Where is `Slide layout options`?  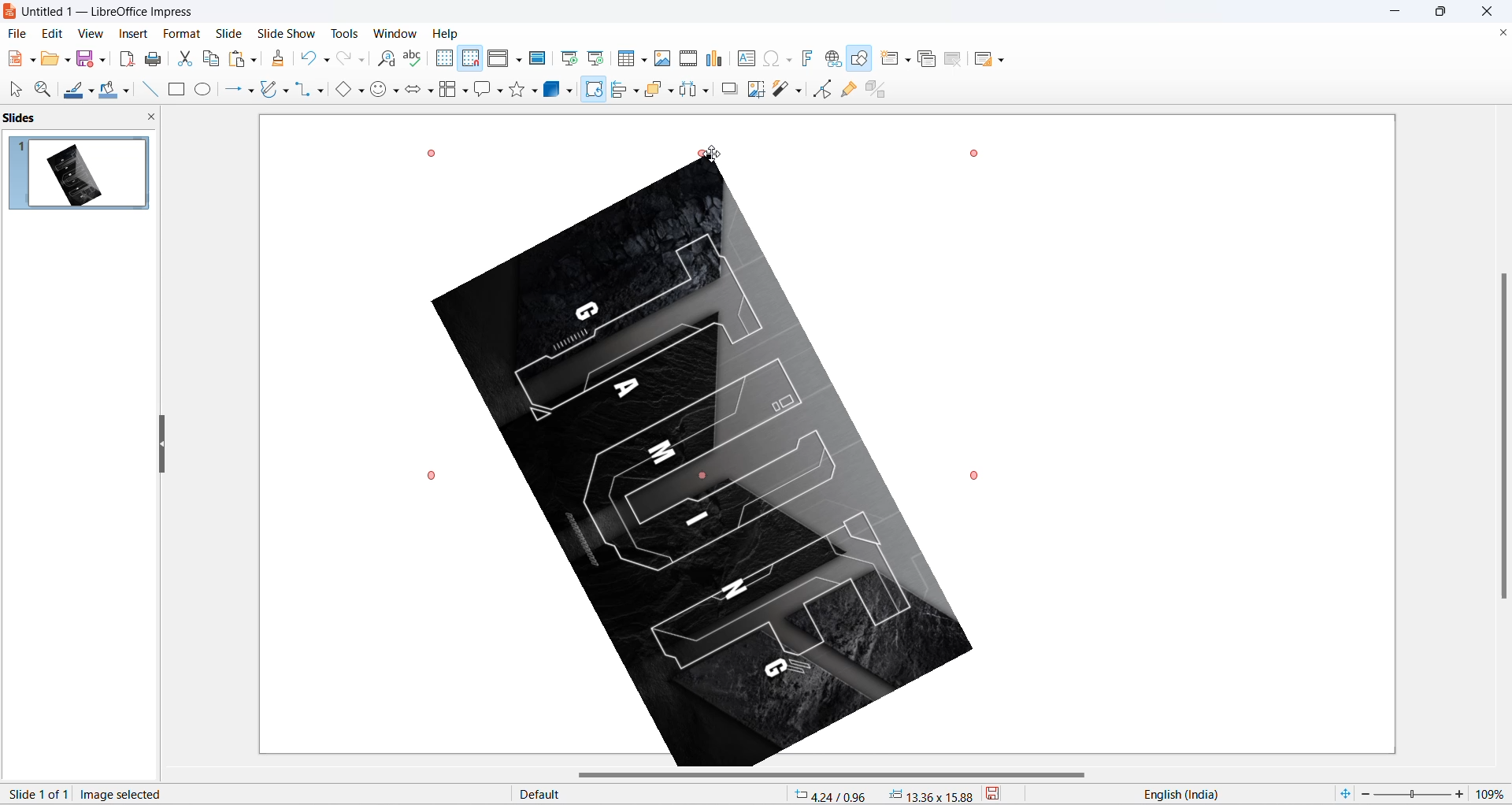 Slide layout options is located at coordinates (1005, 61).